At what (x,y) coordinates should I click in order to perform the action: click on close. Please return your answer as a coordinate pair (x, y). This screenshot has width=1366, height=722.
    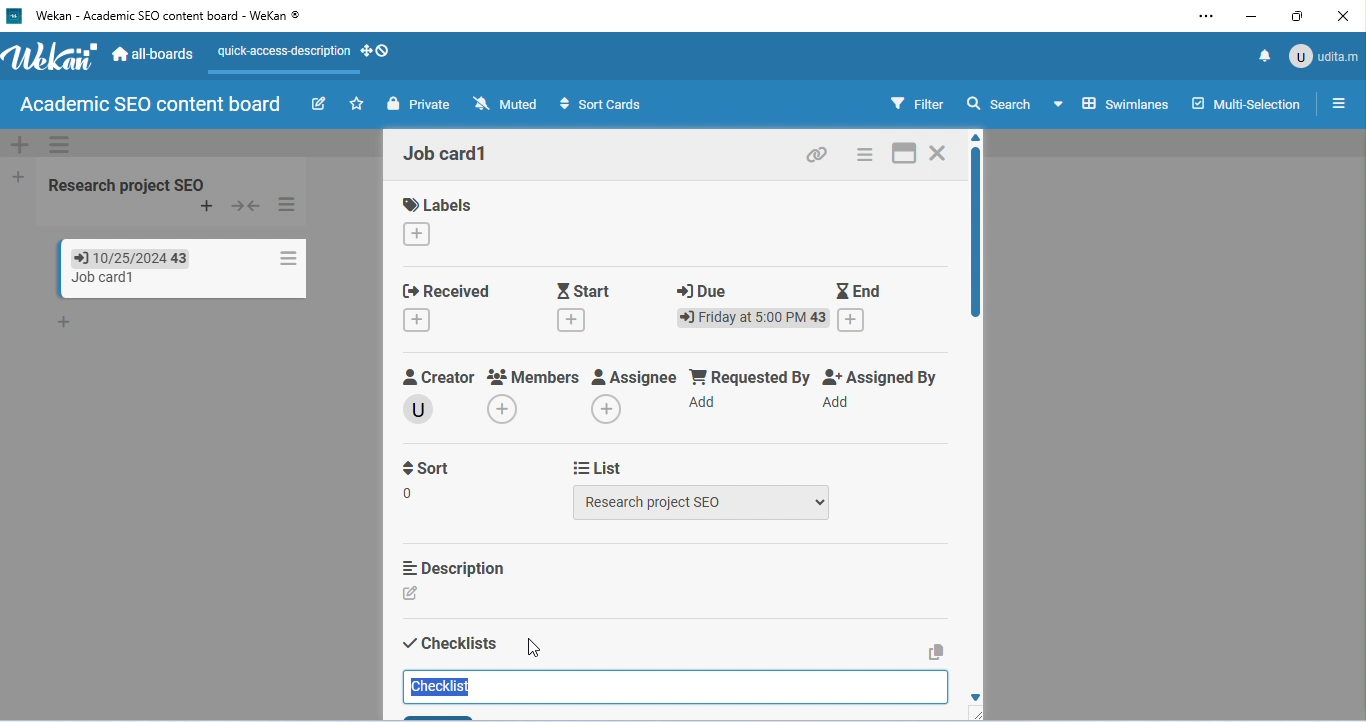
    Looking at the image, I should click on (1342, 17).